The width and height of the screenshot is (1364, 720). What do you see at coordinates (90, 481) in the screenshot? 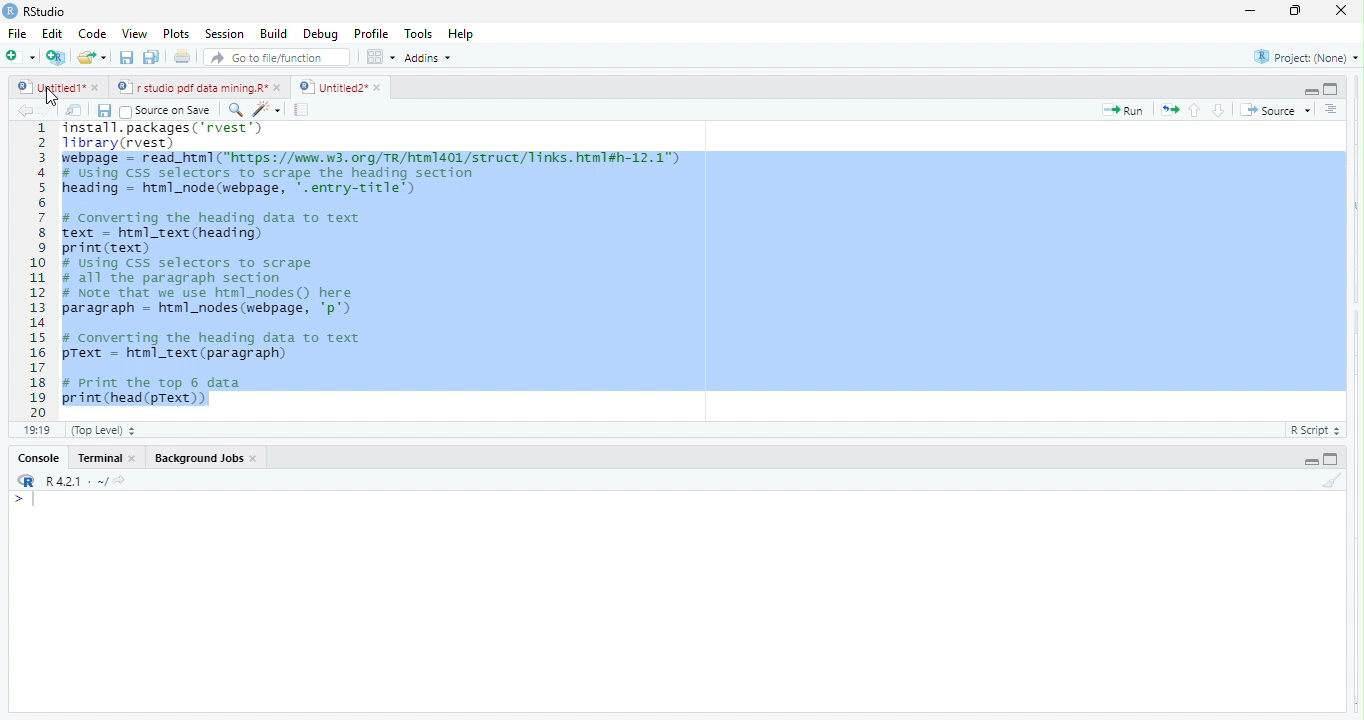
I see ` R421: ~/` at bounding box center [90, 481].